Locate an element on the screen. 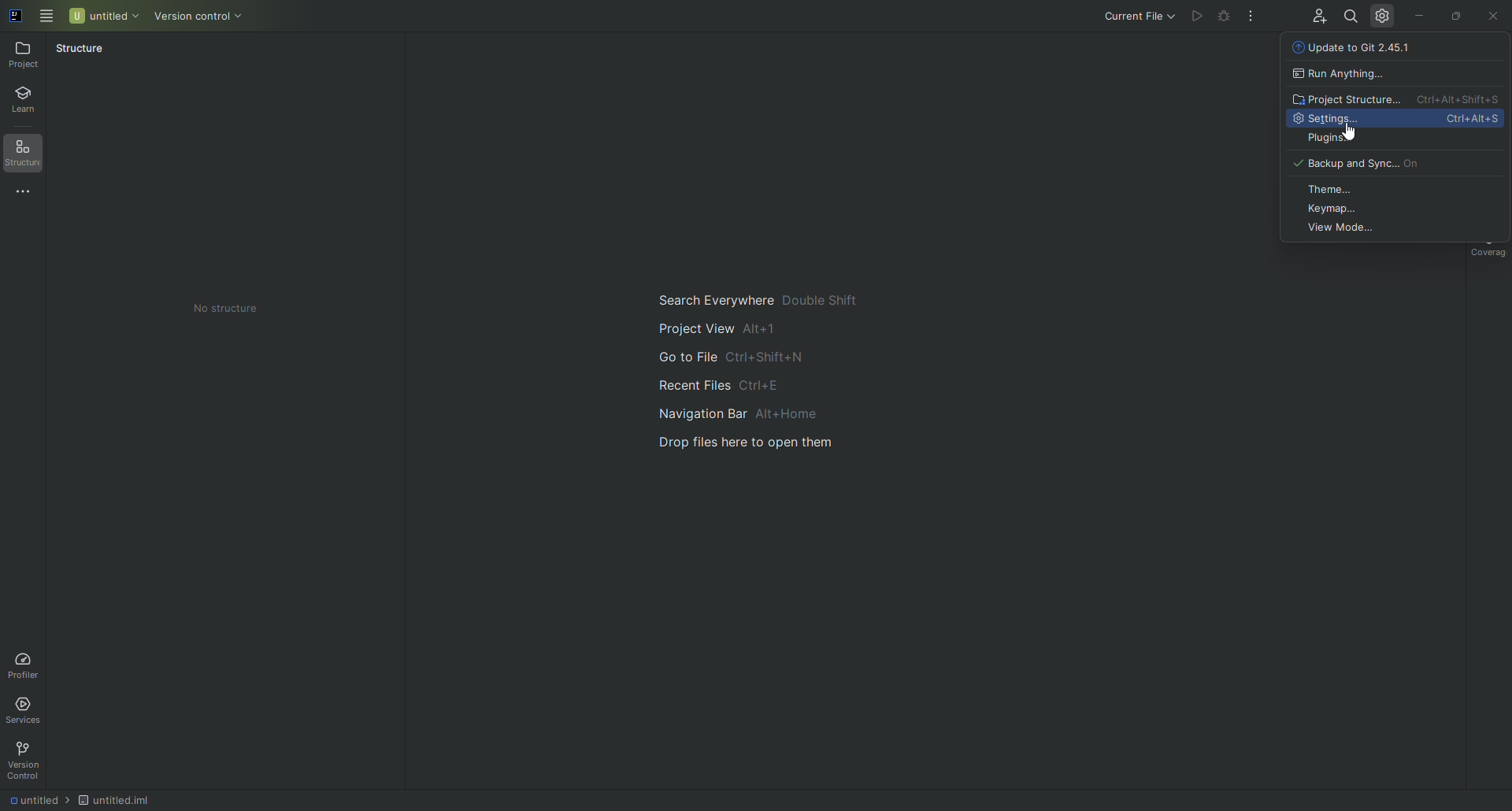 This screenshot has height=811, width=1512. Run Anything is located at coordinates (1344, 72).